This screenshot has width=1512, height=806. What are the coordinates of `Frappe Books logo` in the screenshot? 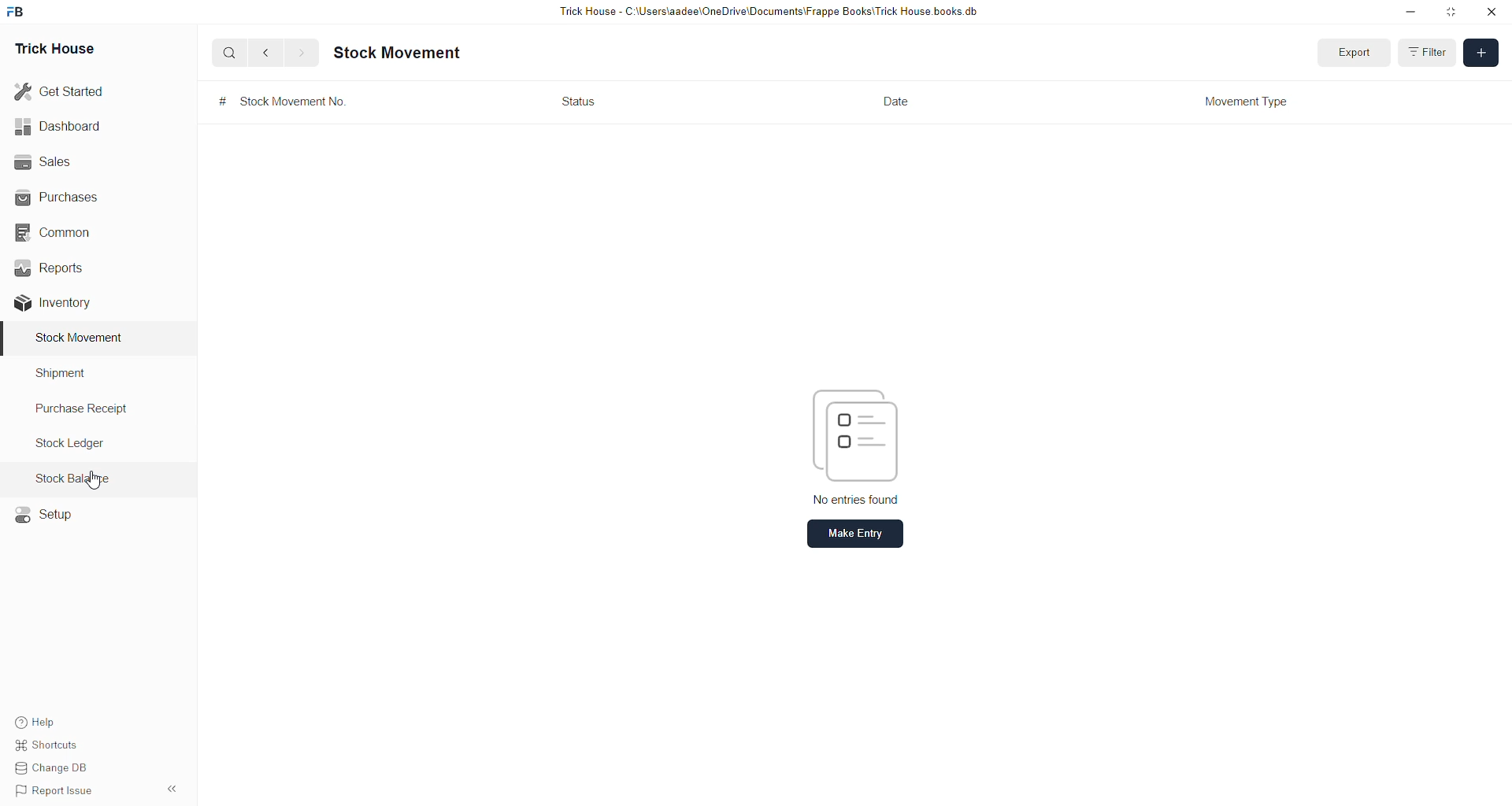 It's located at (17, 14).